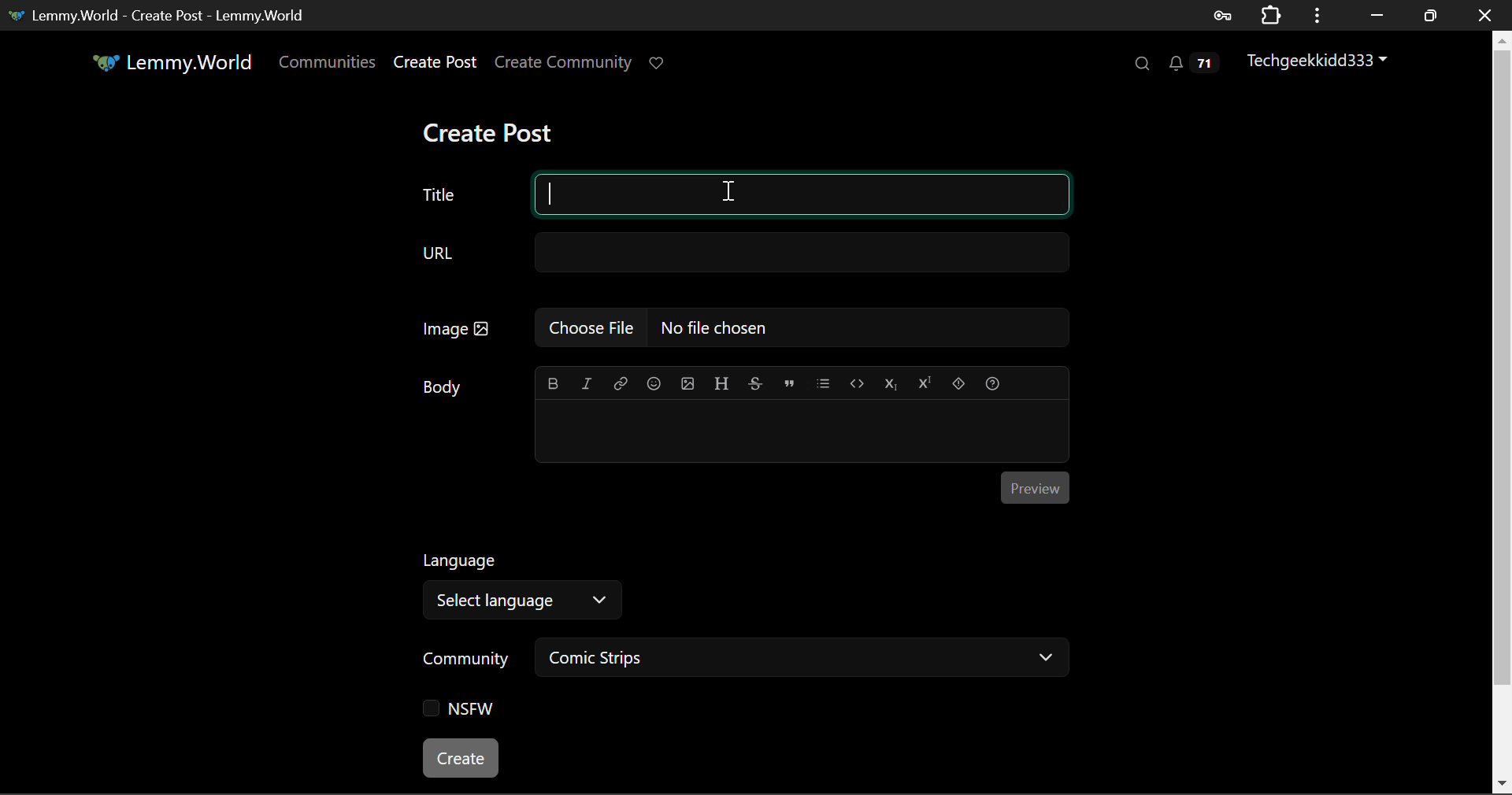 This screenshot has height=795, width=1512. Describe the element at coordinates (1270, 15) in the screenshot. I see `Extensions` at that location.